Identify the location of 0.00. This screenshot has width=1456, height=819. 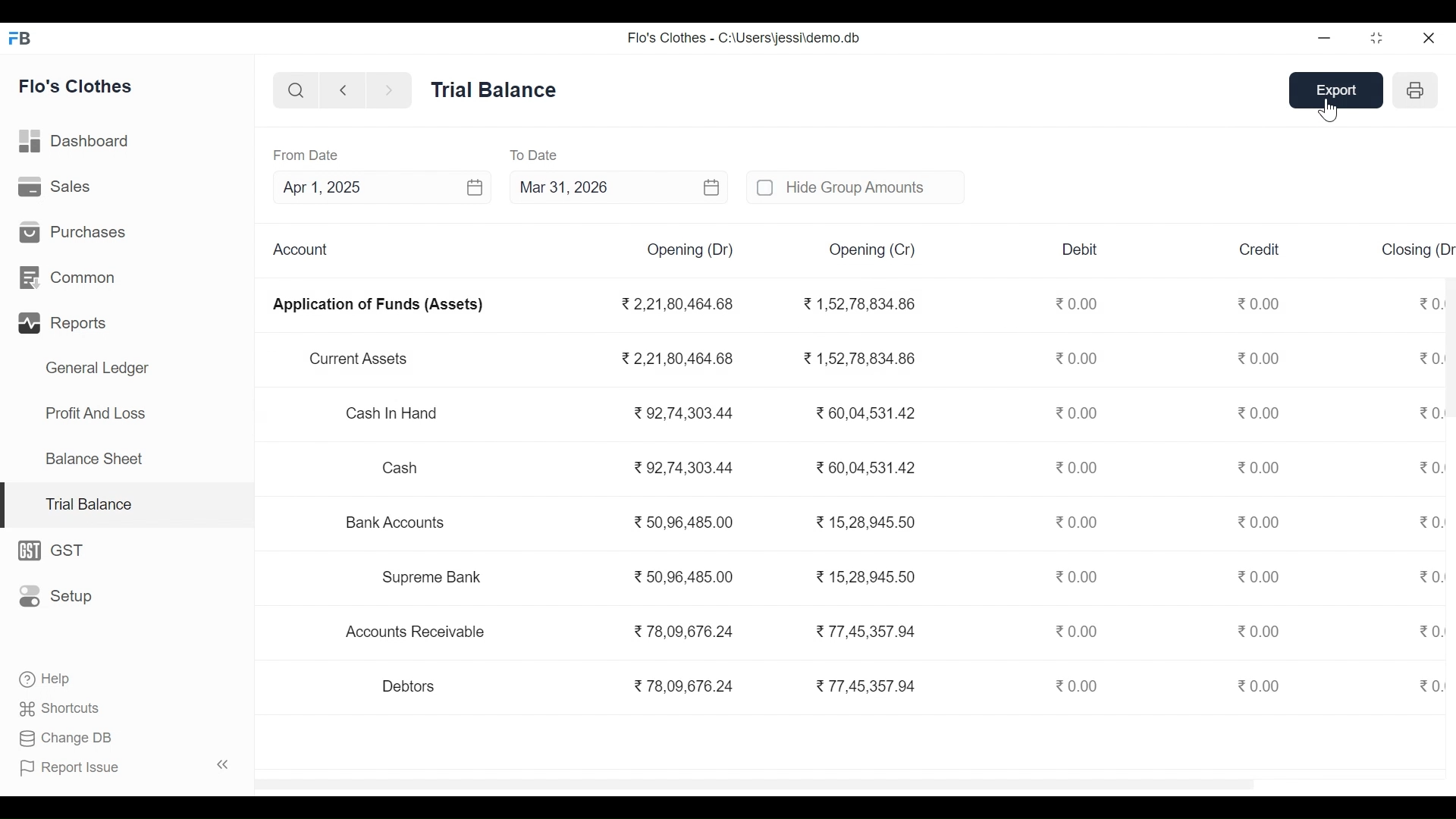
(1260, 521).